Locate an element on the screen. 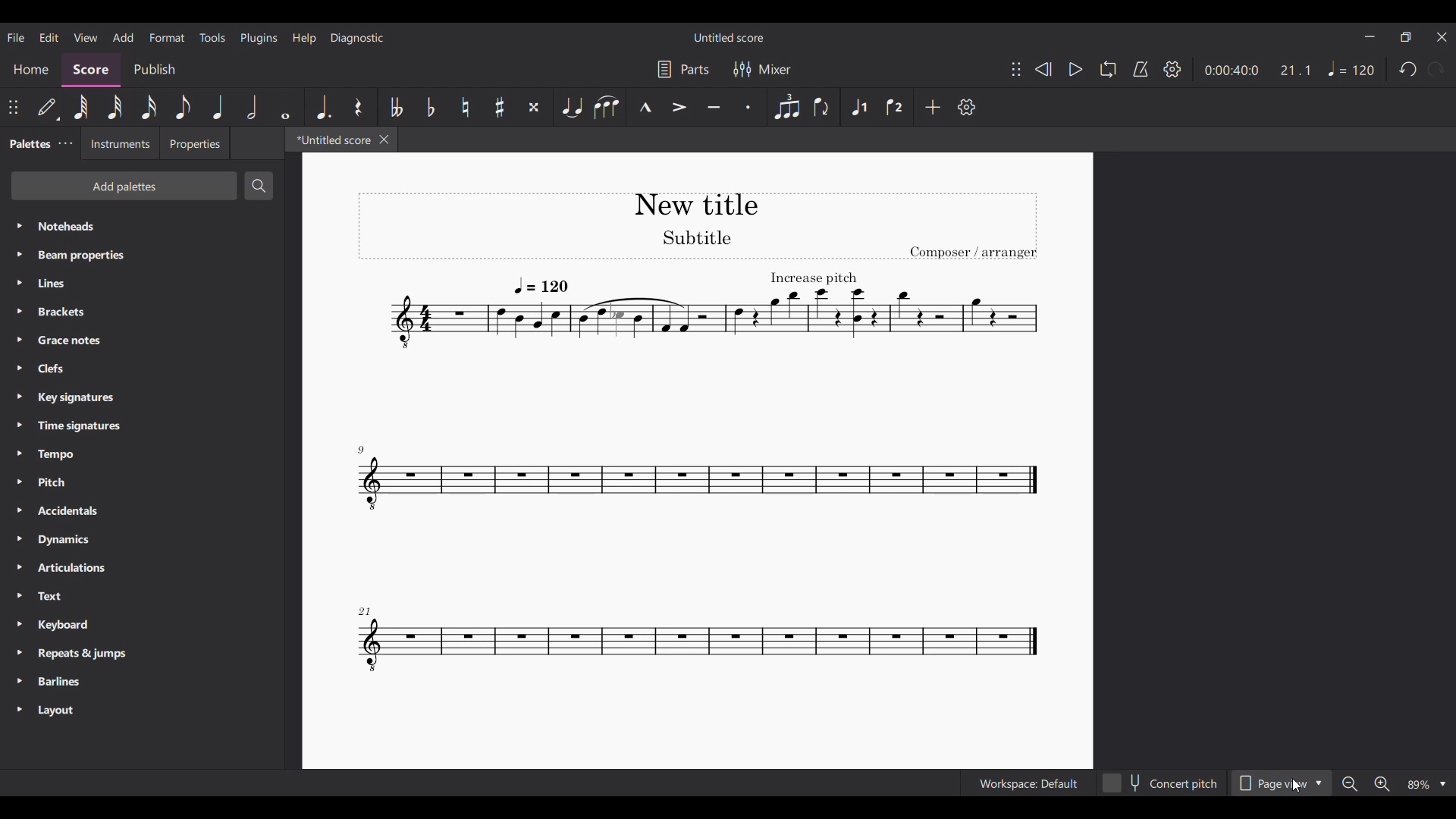  Tuplet is located at coordinates (786, 107).